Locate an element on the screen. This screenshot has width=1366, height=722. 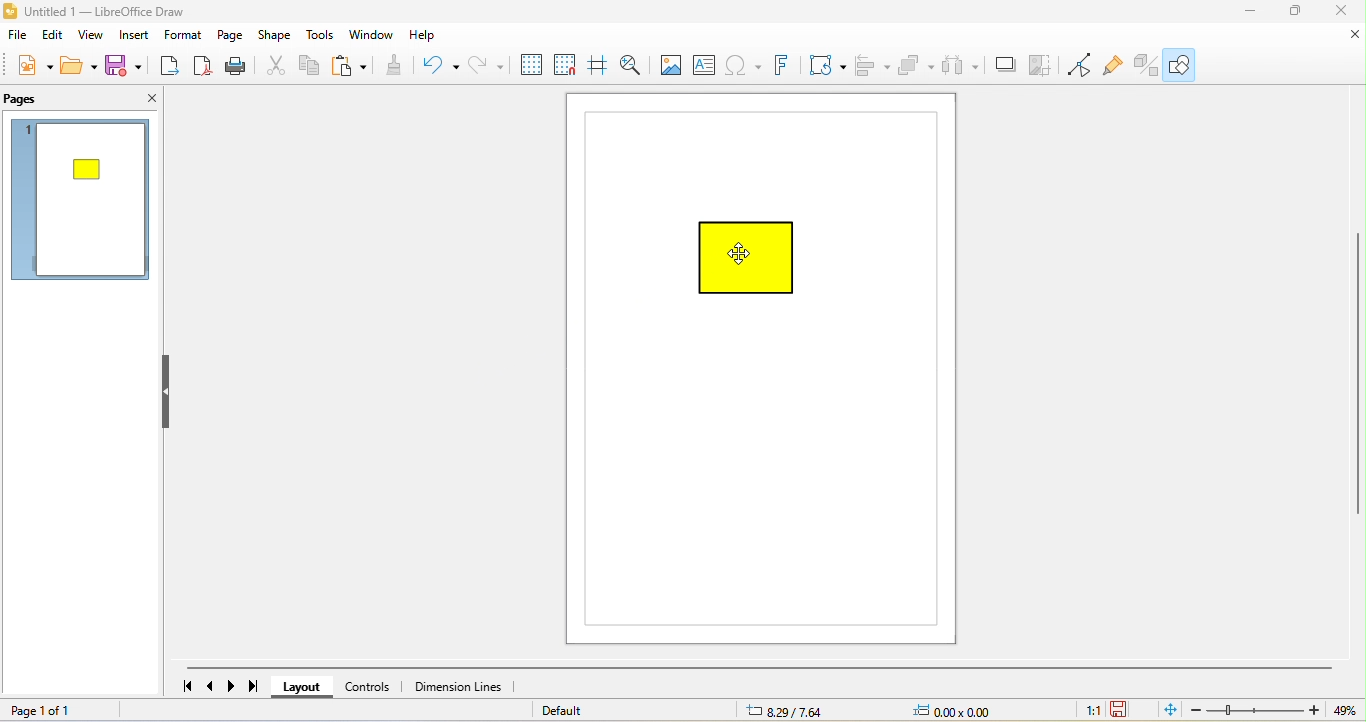
first page is located at coordinates (184, 687).